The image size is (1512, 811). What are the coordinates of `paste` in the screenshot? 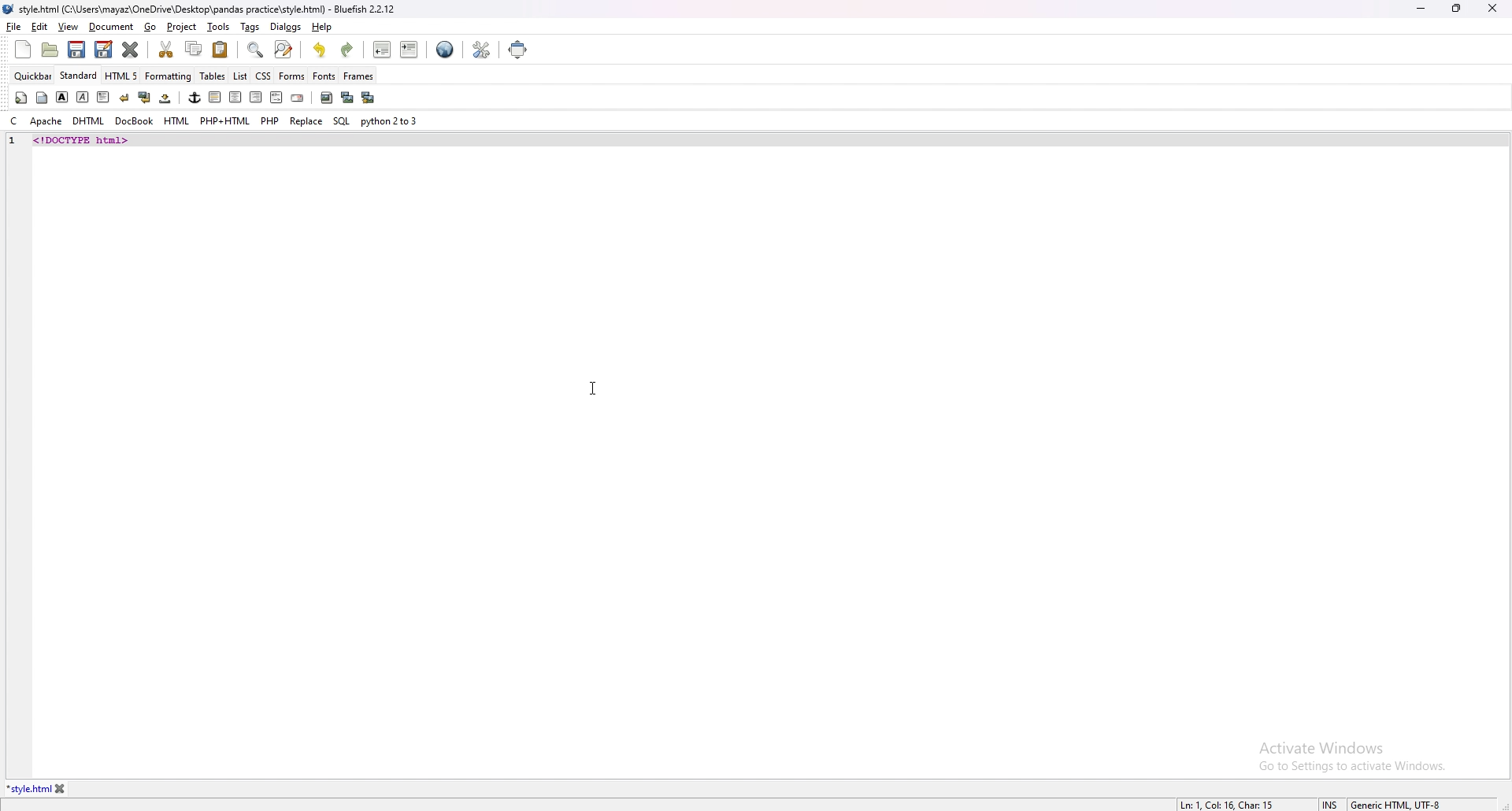 It's located at (220, 49).